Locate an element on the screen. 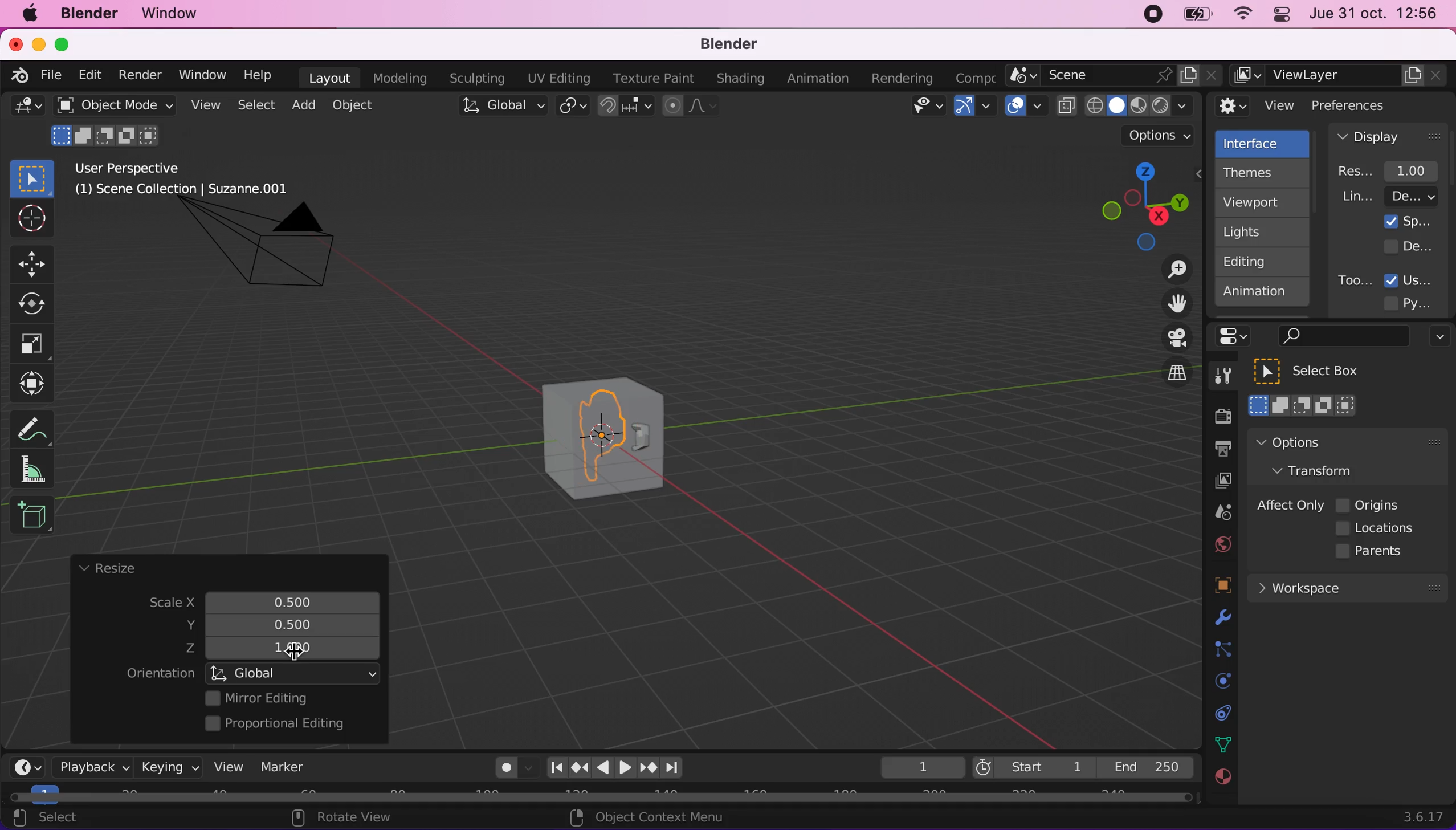  origins is located at coordinates (1369, 503).